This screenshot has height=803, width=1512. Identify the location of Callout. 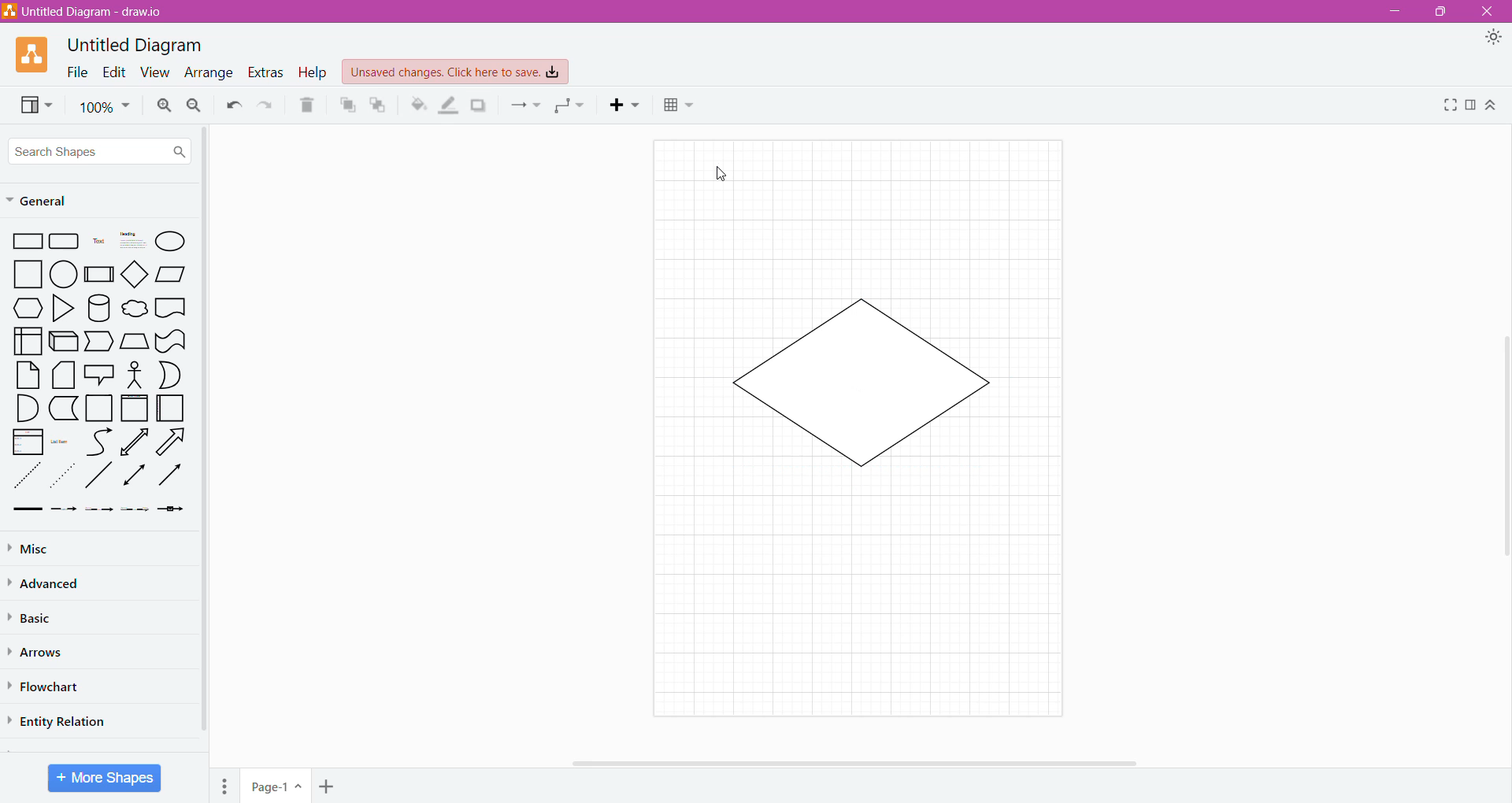
(98, 376).